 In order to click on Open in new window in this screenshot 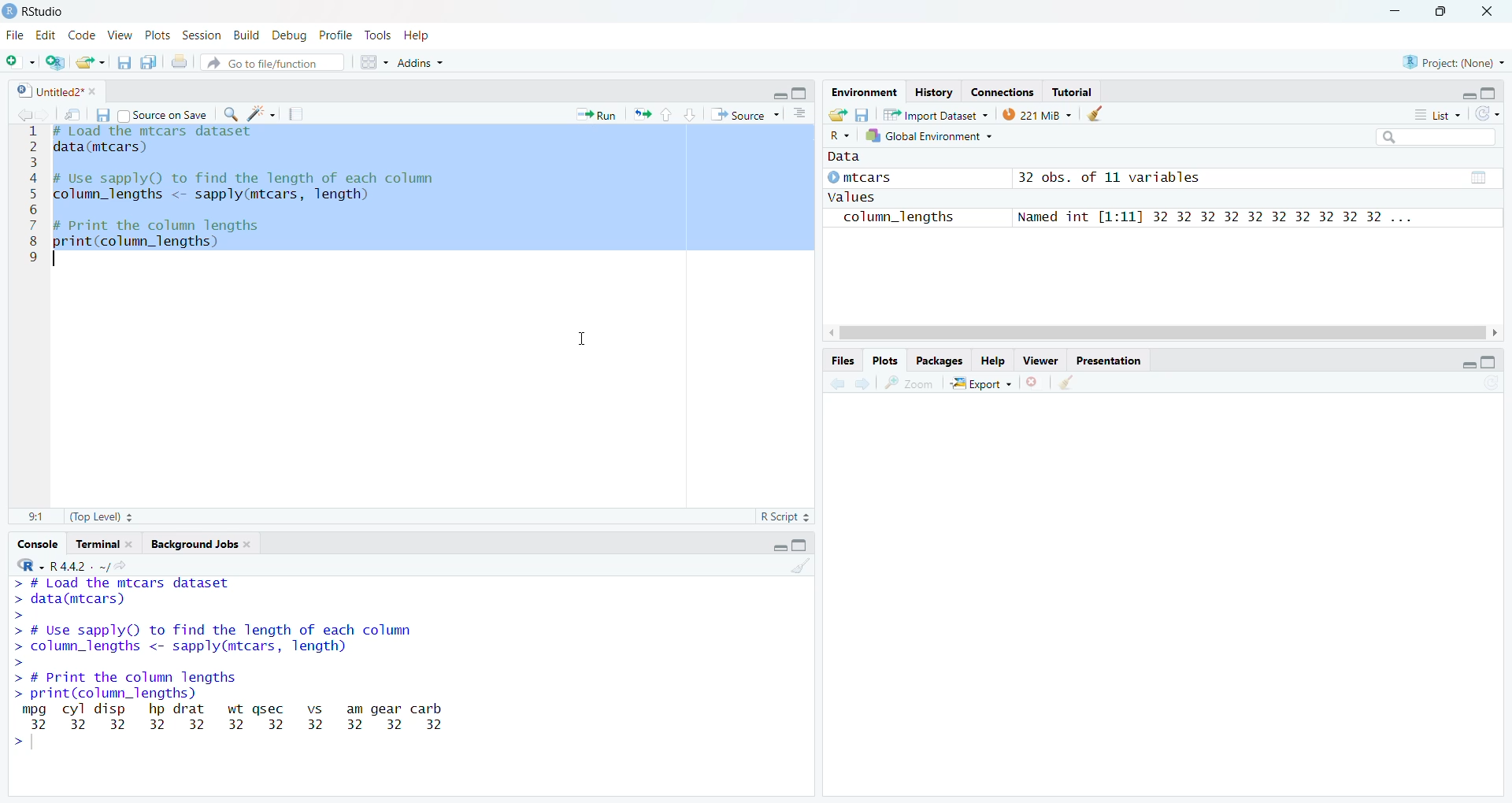, I will do `click(74, 113)`.